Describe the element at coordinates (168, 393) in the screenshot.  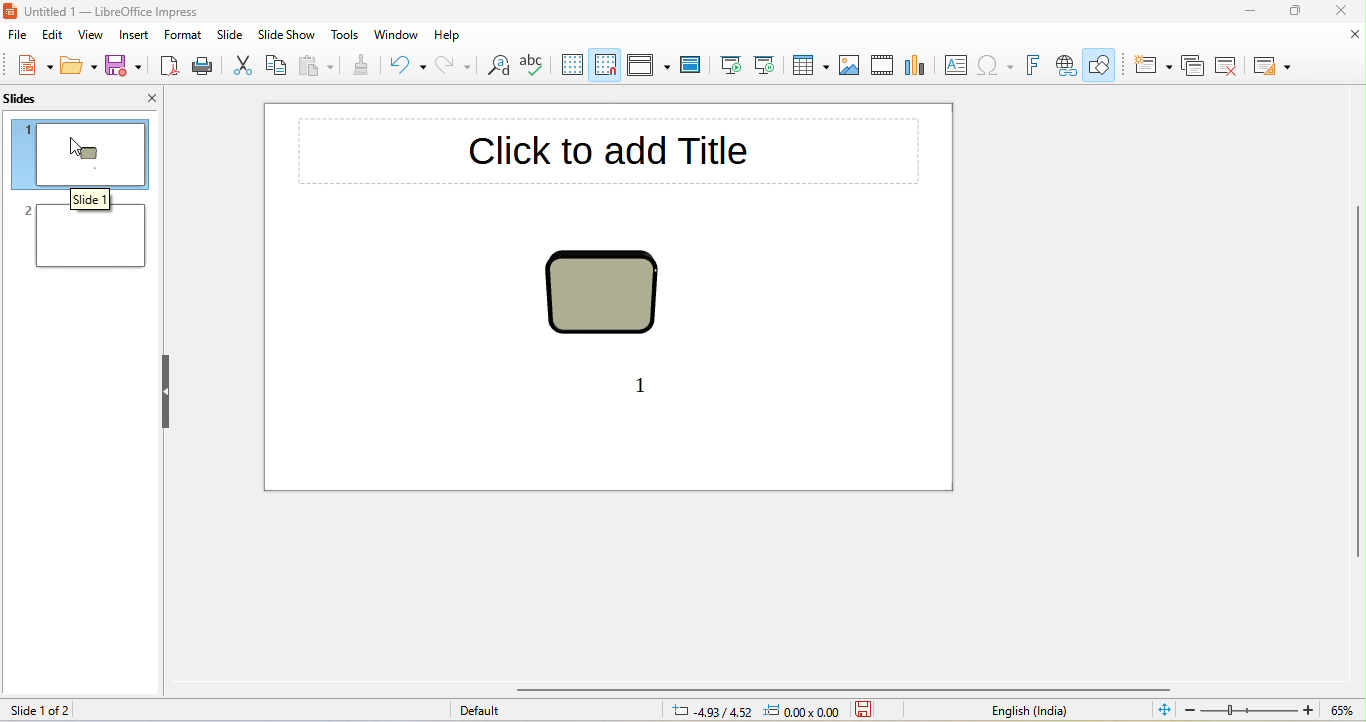
I see `hide` at that location.